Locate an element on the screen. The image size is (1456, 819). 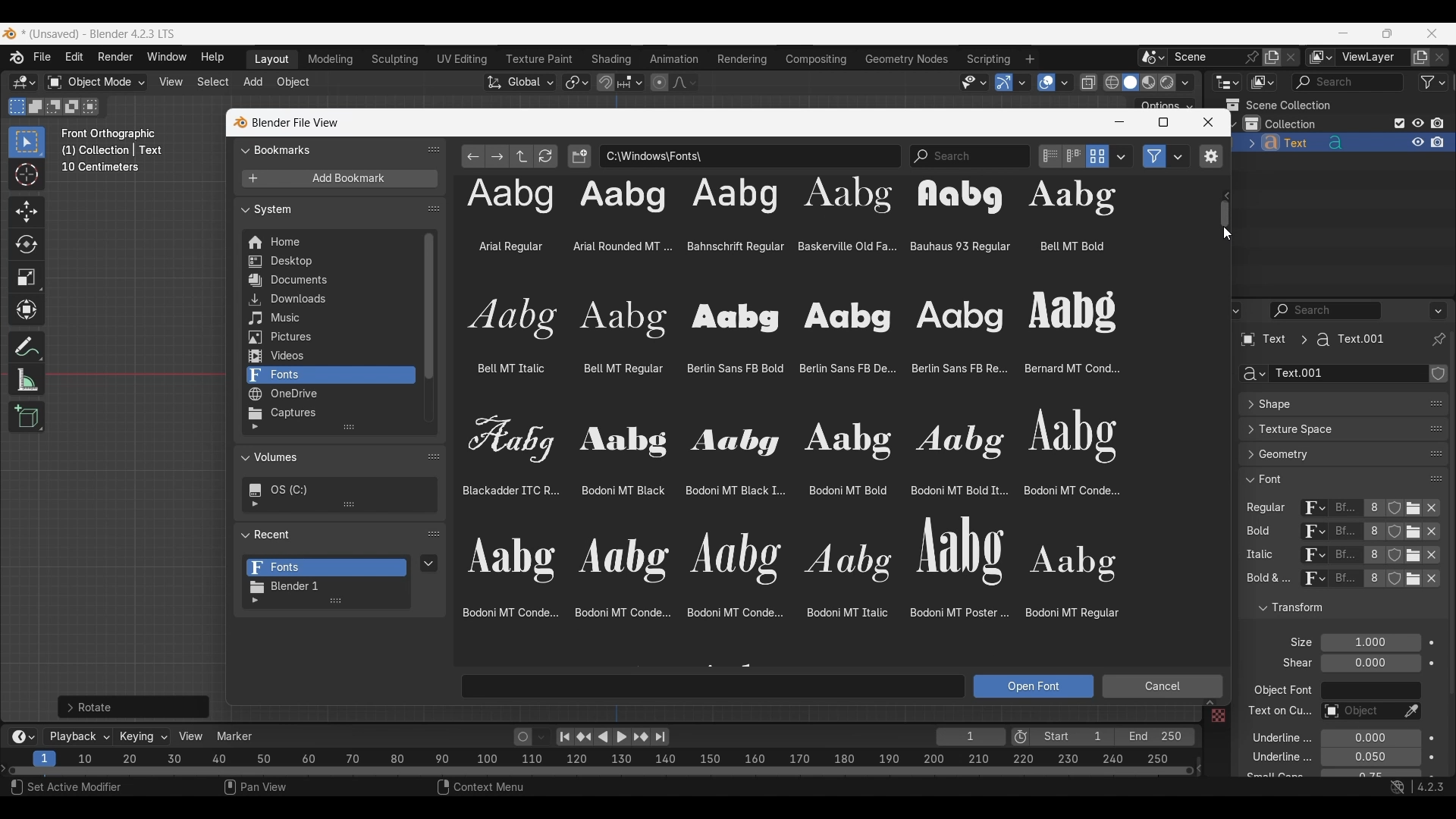
Click to collapse Font is located at coordinates (1328, 479).